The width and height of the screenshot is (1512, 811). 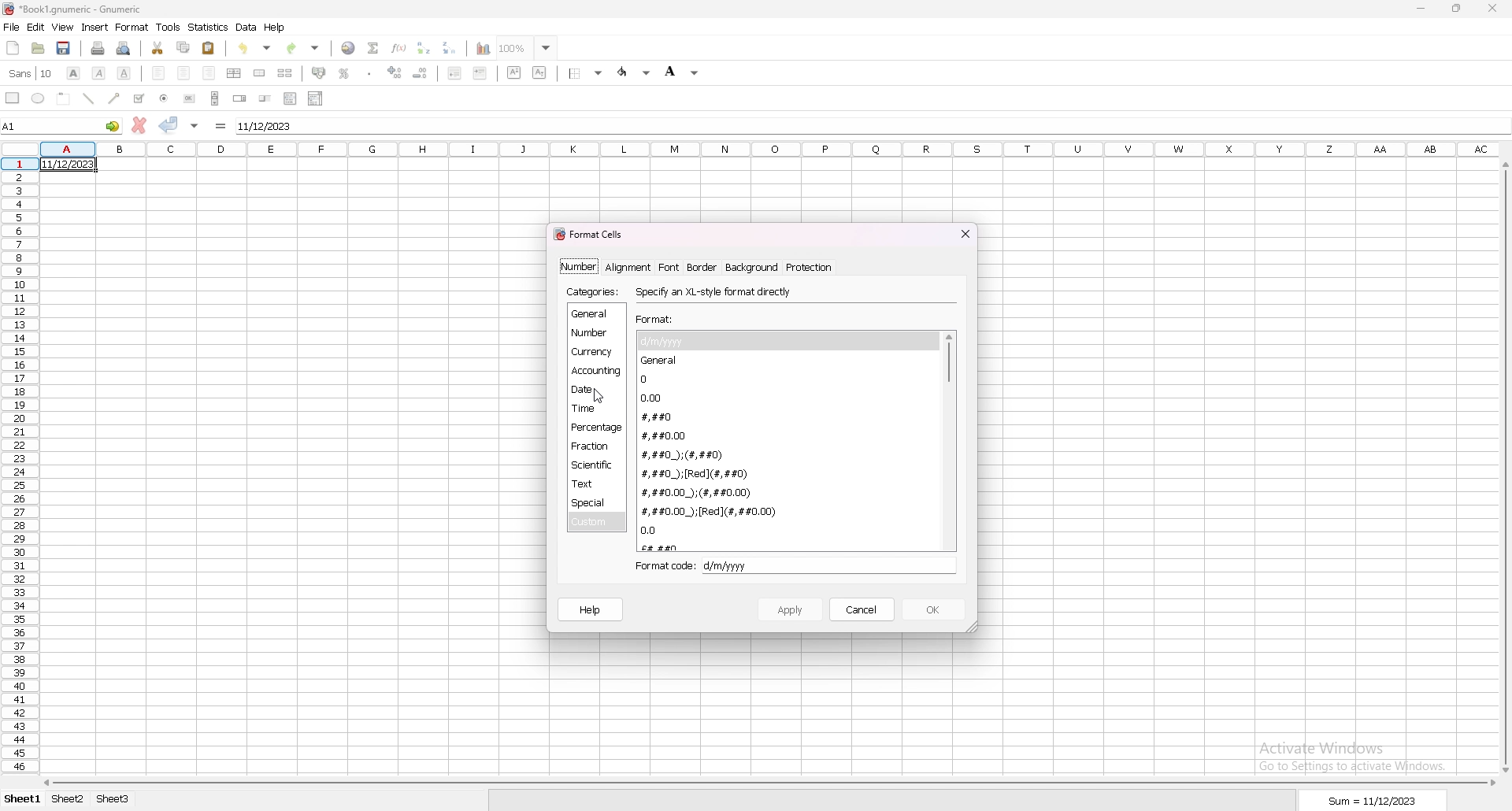 I want to click on summation, so click(x=374, y=47).